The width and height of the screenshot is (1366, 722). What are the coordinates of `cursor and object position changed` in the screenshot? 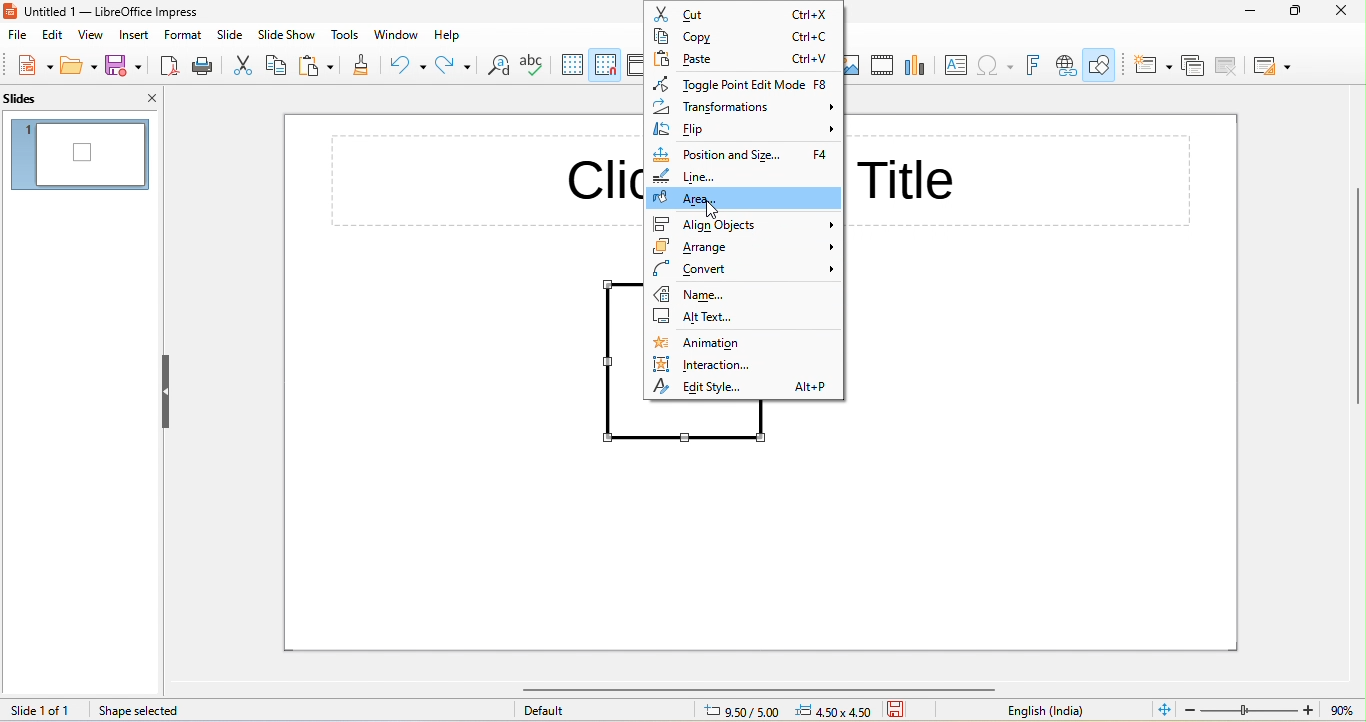 It's located at (790, 710).